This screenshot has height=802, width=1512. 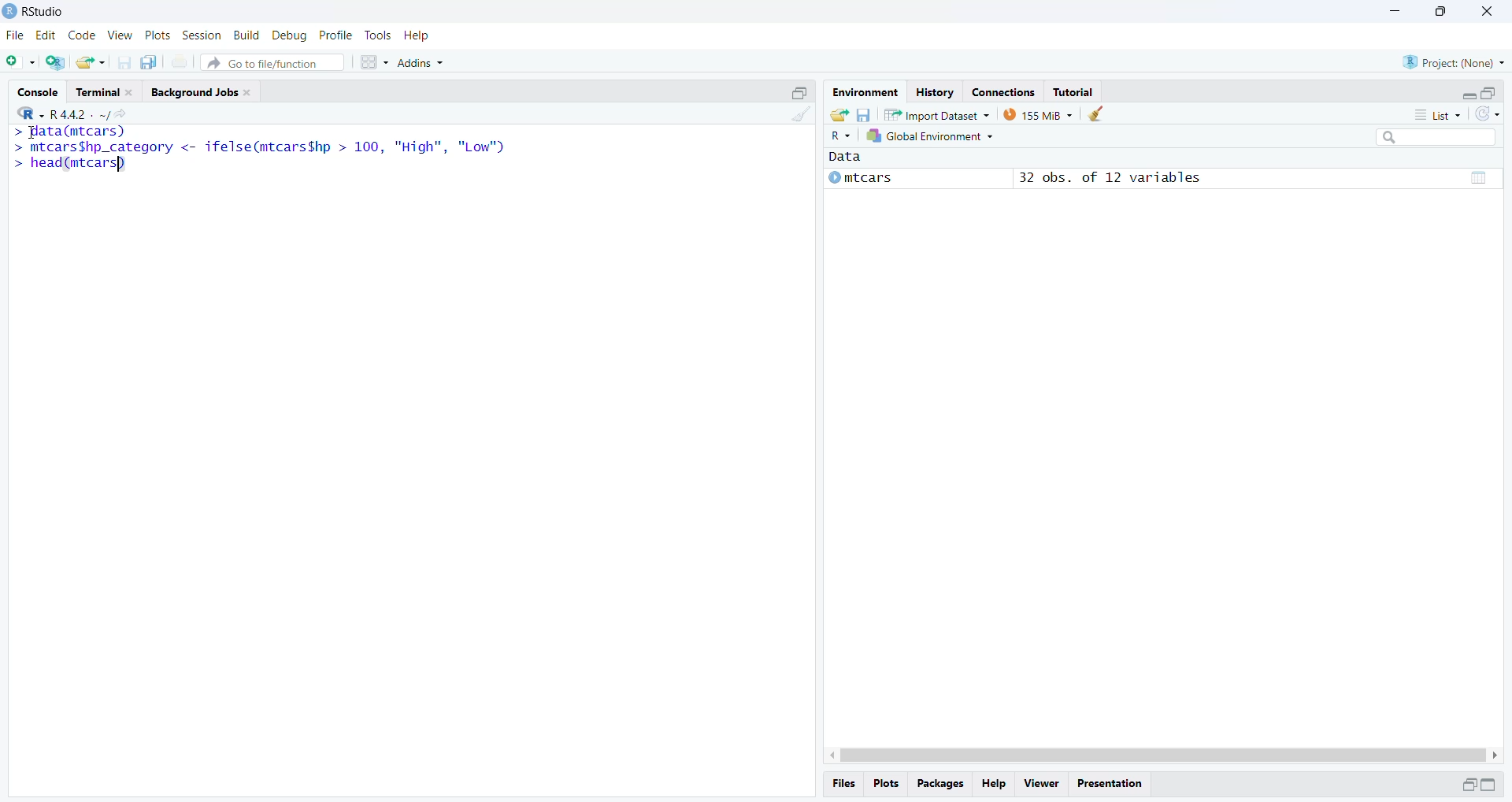 What do you see at coordinates (1096, 114) in the screenshot?
I see `Clear console (Ctrl +L)` at bounding box center [1096, 114].